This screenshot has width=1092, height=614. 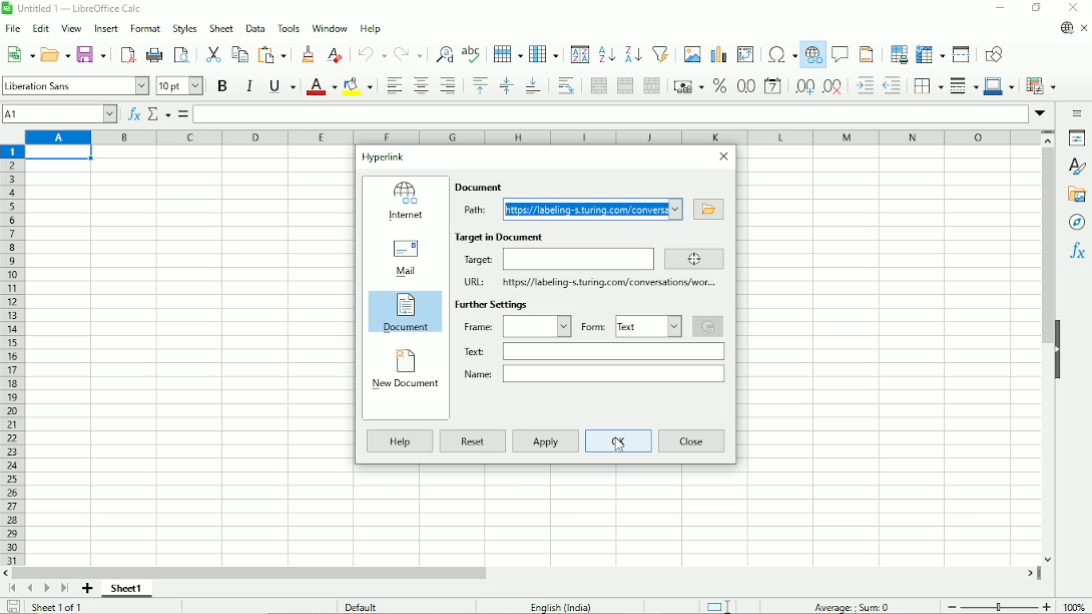 What do you see at coordinates (814, 57) in the screenshot?
I see `Insert hyperlink` at bounding box center [814, 57].